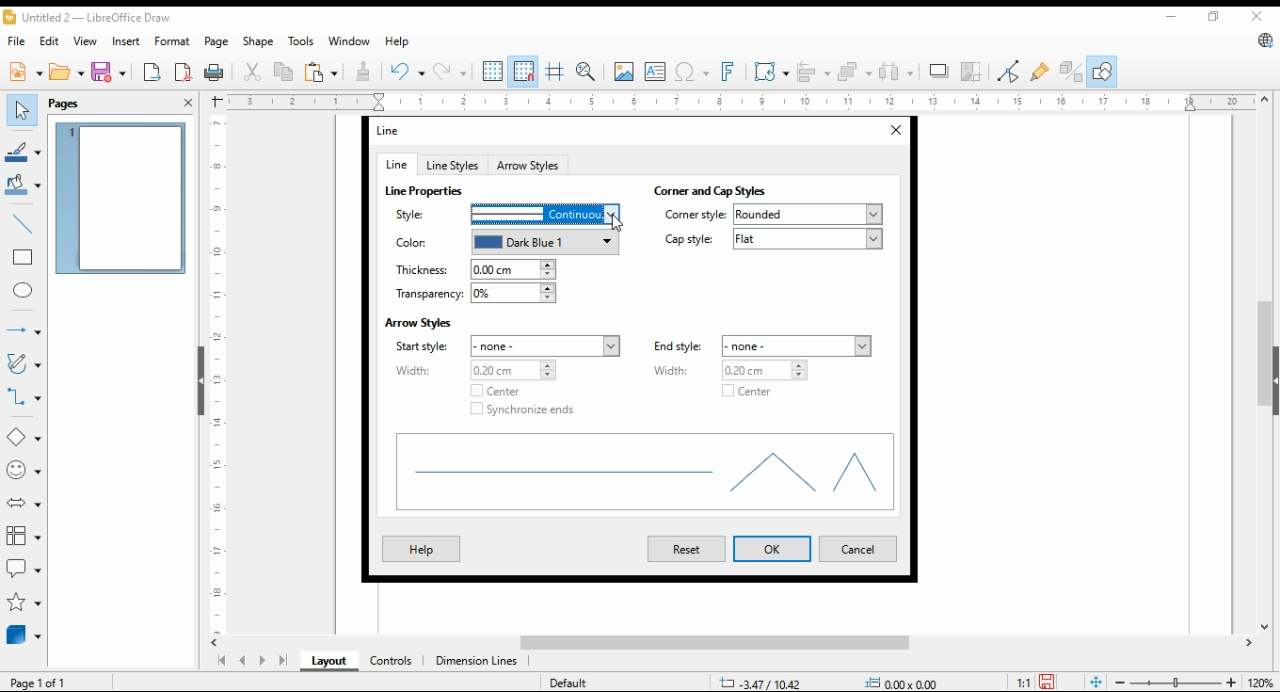  Describe the element at coordinates (726, 72) in the screenshot. I see `insert fontwork text` at that location.